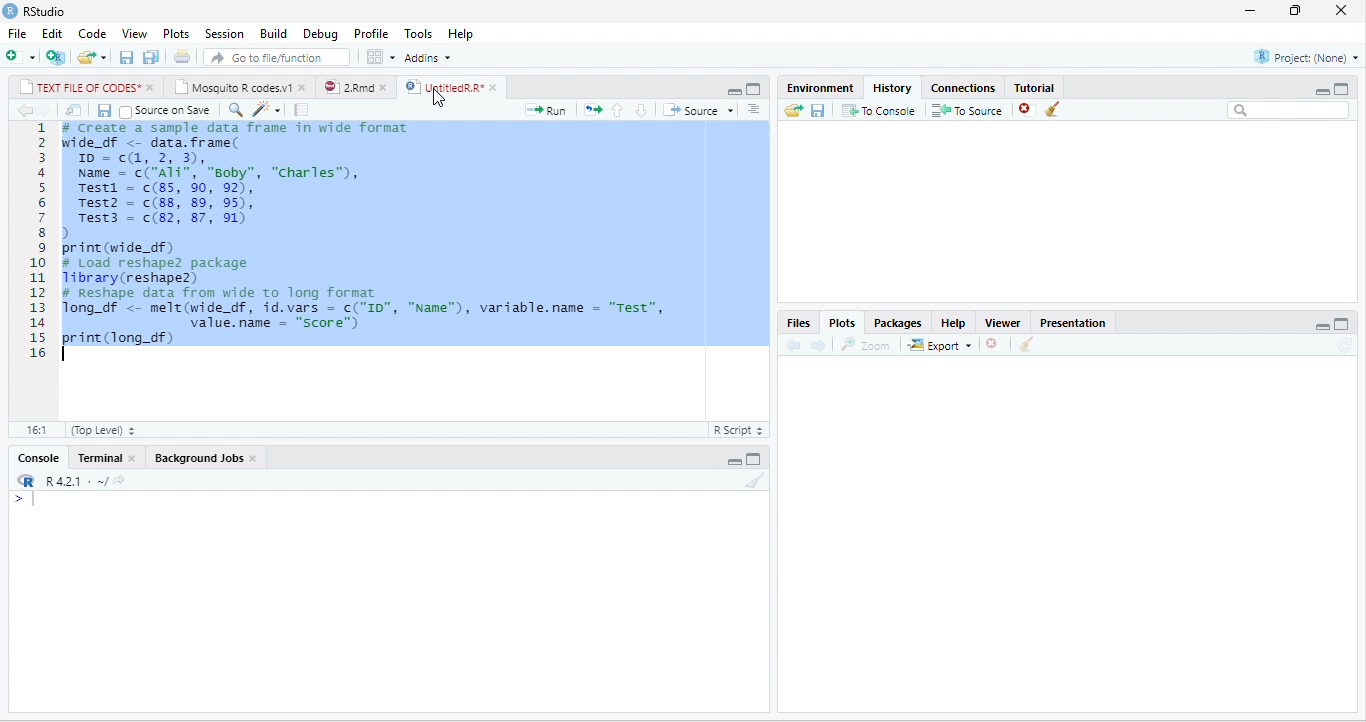  Describe the element at coordinates (866, 345) in the screenshot. I see `Zoom` at that location.